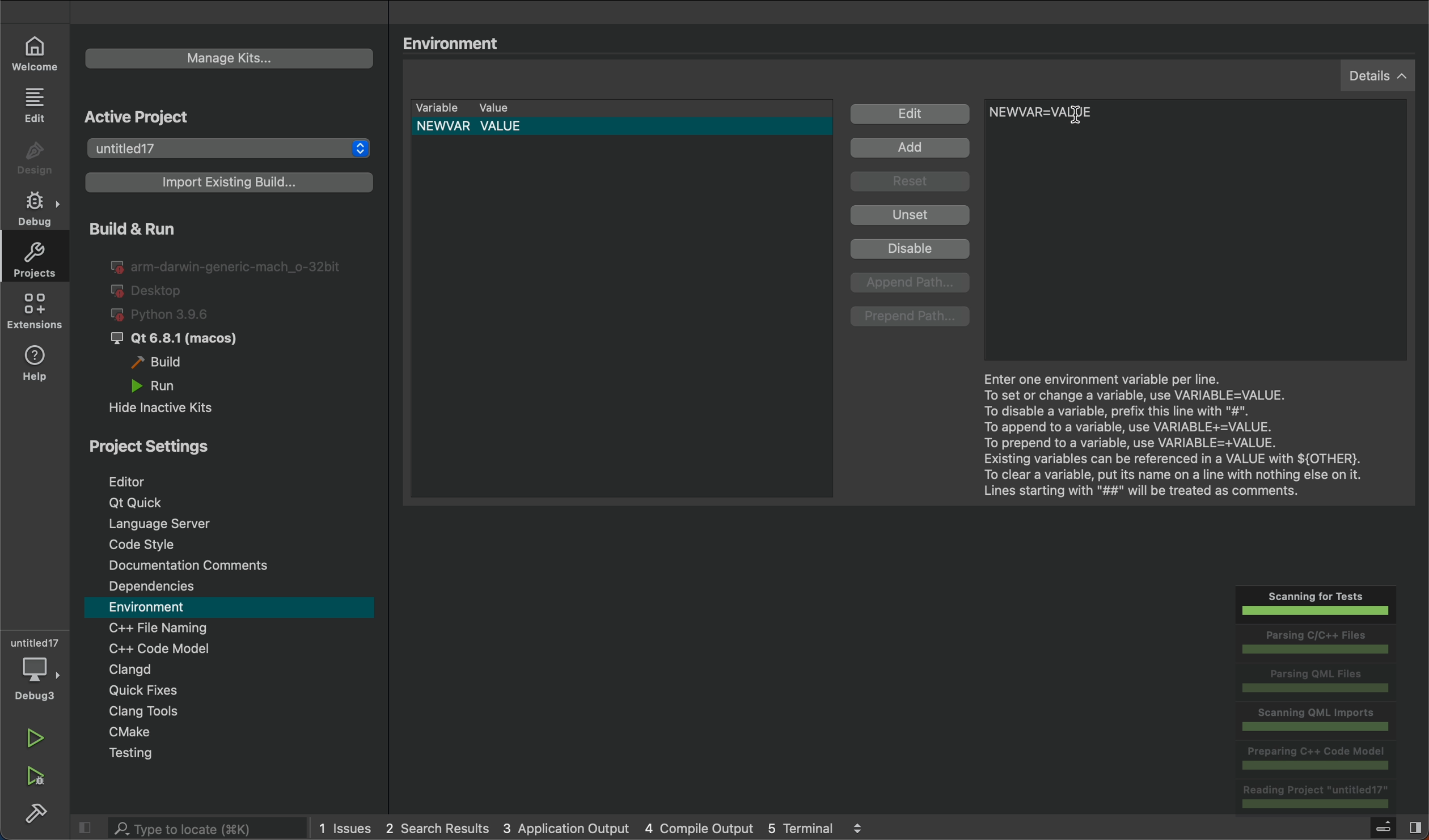 The height and width of the screenshot is (840, 1429). Describe the element at coordinates (231, 564) in the screenshot. I see `comments` at that location.